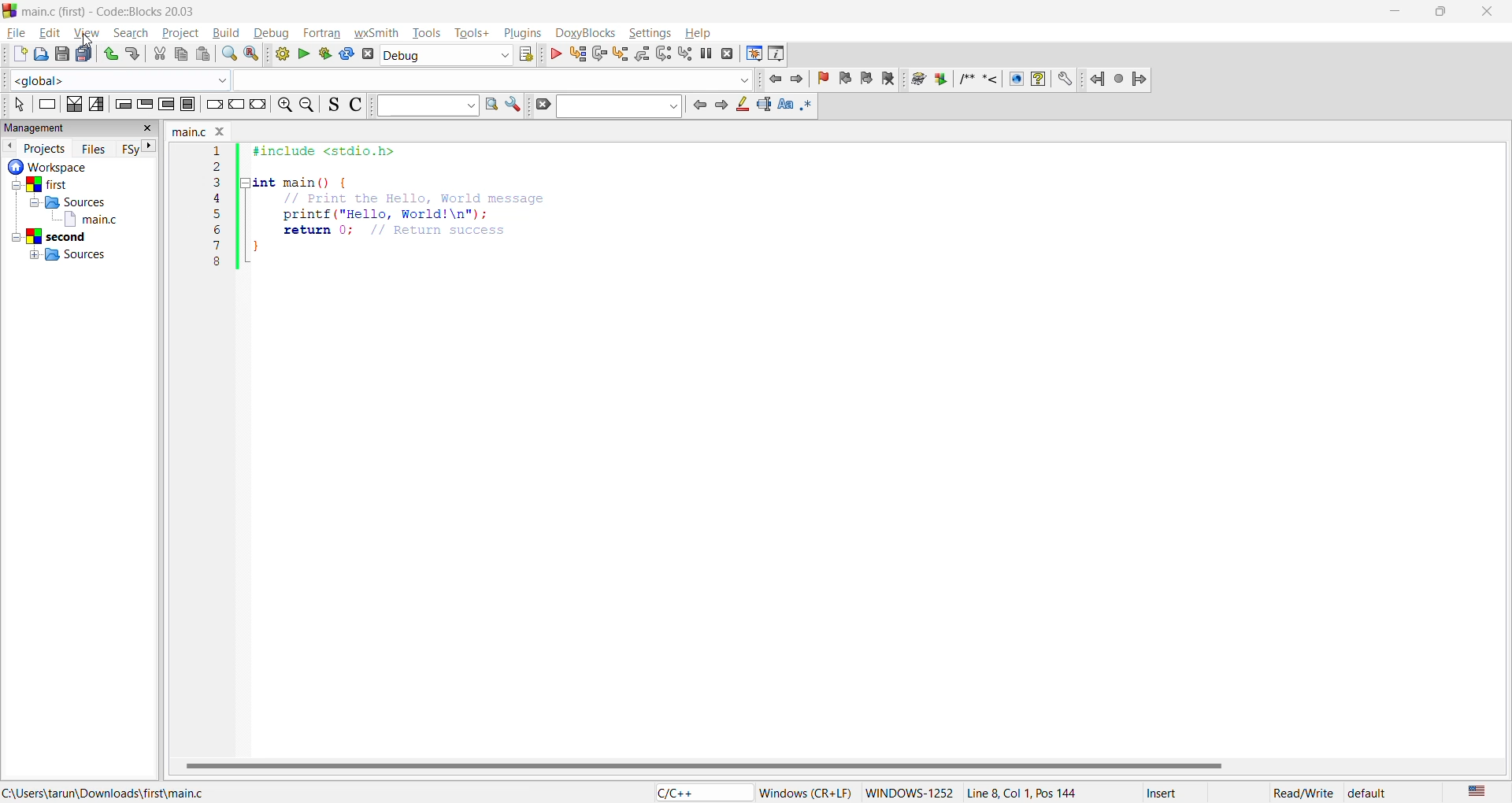 The width and height of the screenshot is (1512, 803). I want to click on return instruction, so click(258, 105).